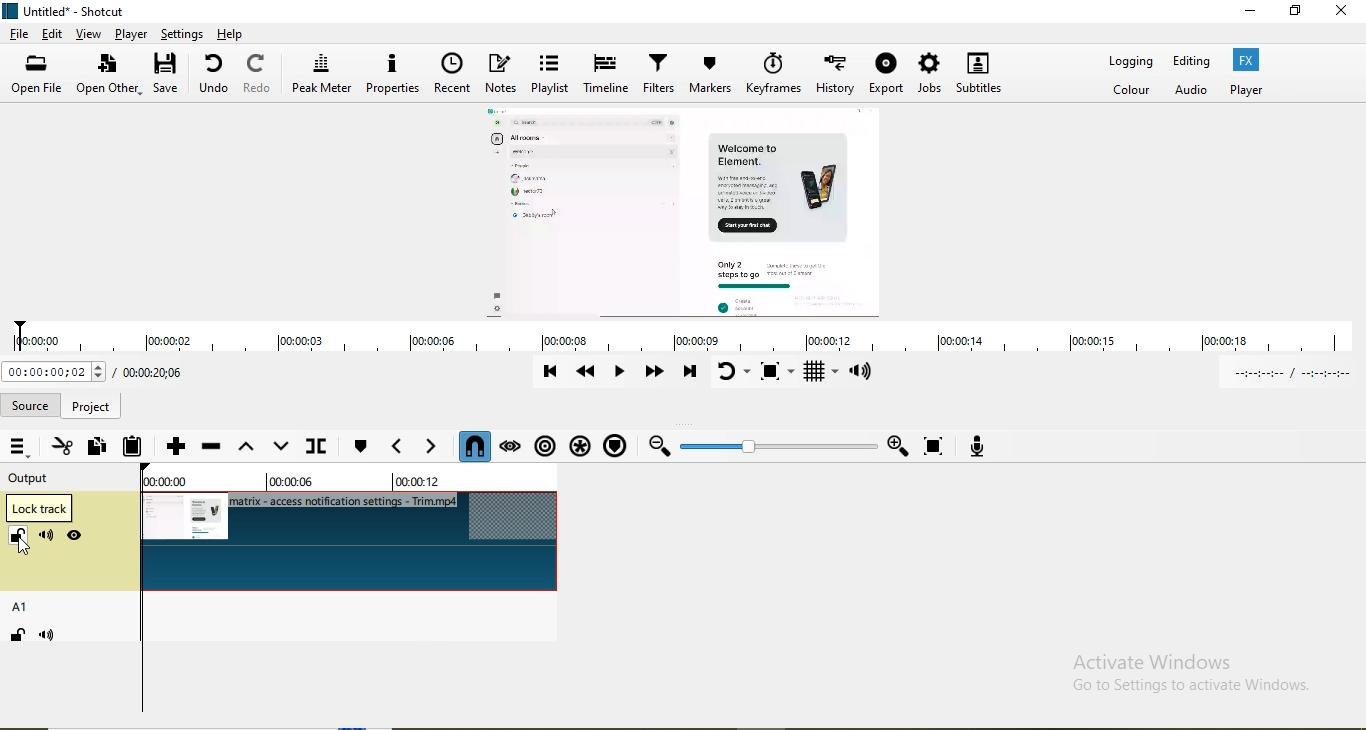 The height and width of the screenshot is (730, 1366). What do you see at coordinates (259, 75) in the screenshot?
I see `Redo` at bounding box center [259, 75].